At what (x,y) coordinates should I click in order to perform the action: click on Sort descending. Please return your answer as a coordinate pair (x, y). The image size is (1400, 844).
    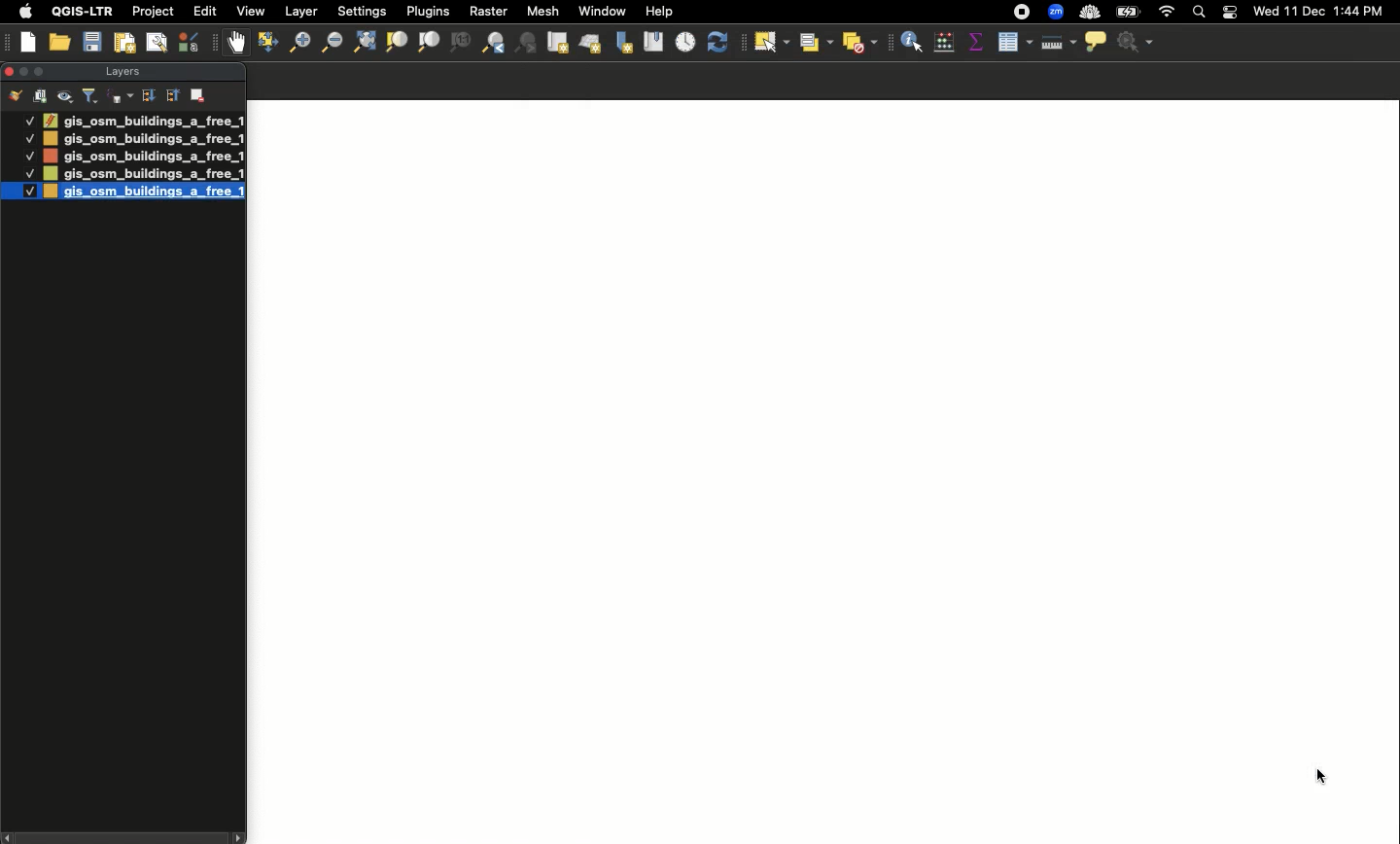
    Looking at the image, I should click on (148, 96).